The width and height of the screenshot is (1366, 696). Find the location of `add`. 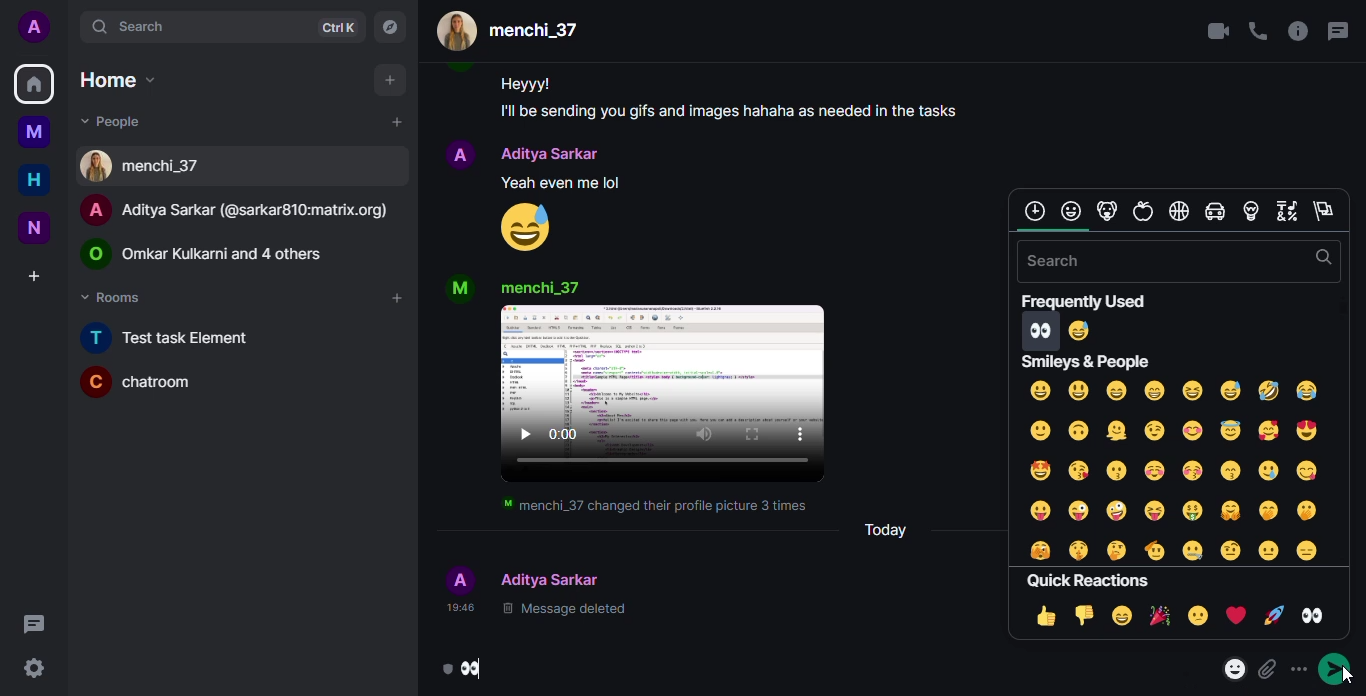

add is located at coordinates (395, 122).